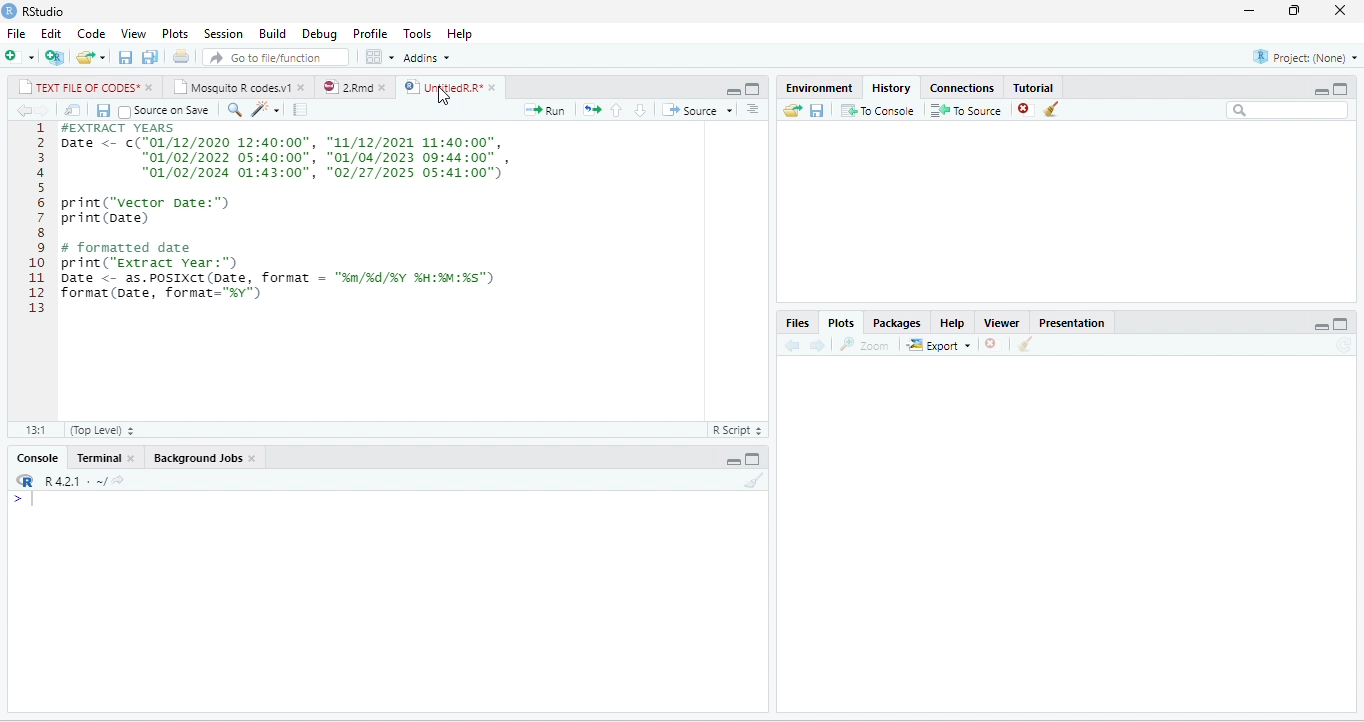  Describe the element at coordinates (799, 324) in the screenshot. I see `Files` at that location.